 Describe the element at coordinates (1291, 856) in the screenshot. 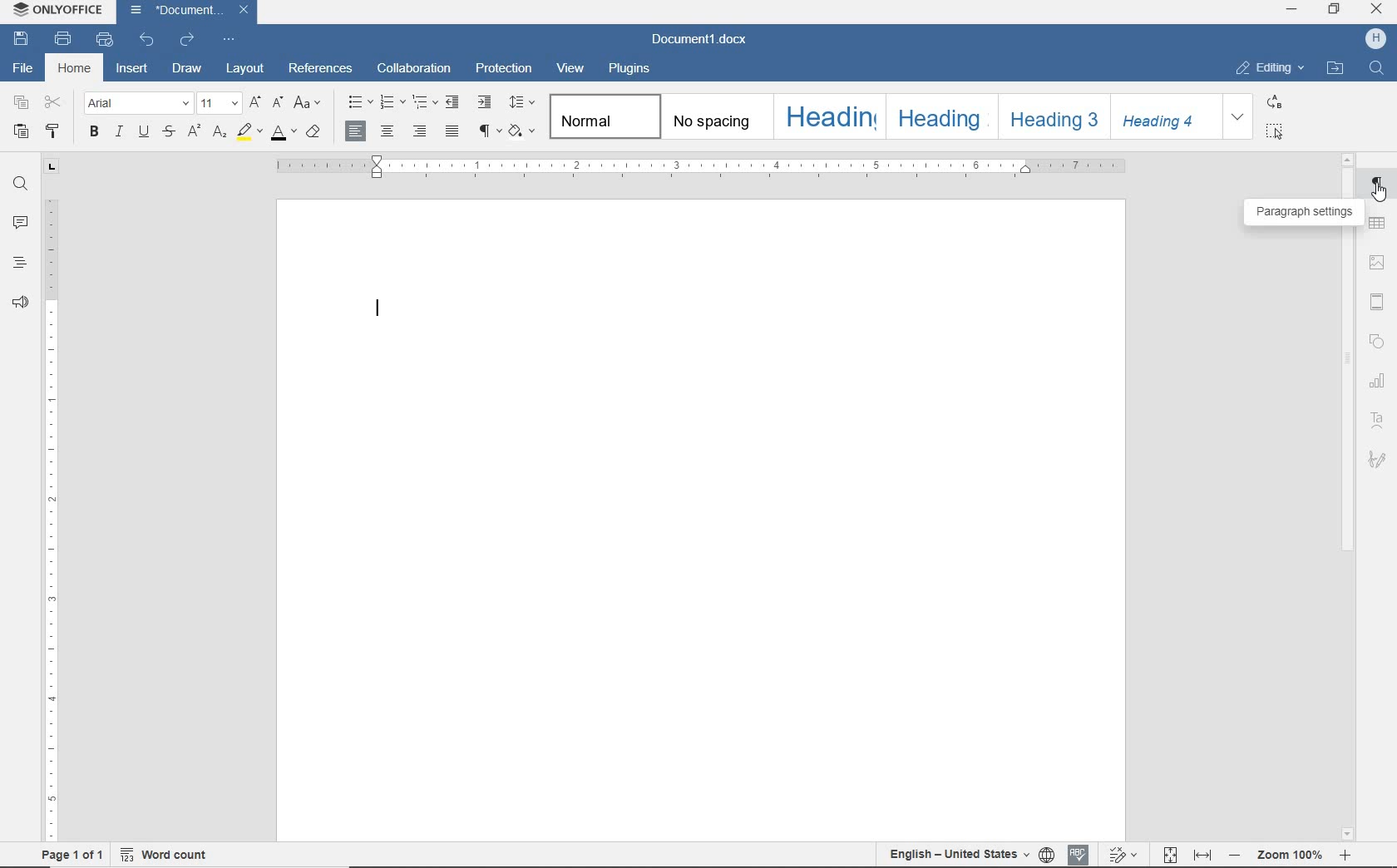

I see `- Zoom 100% +` at that location.